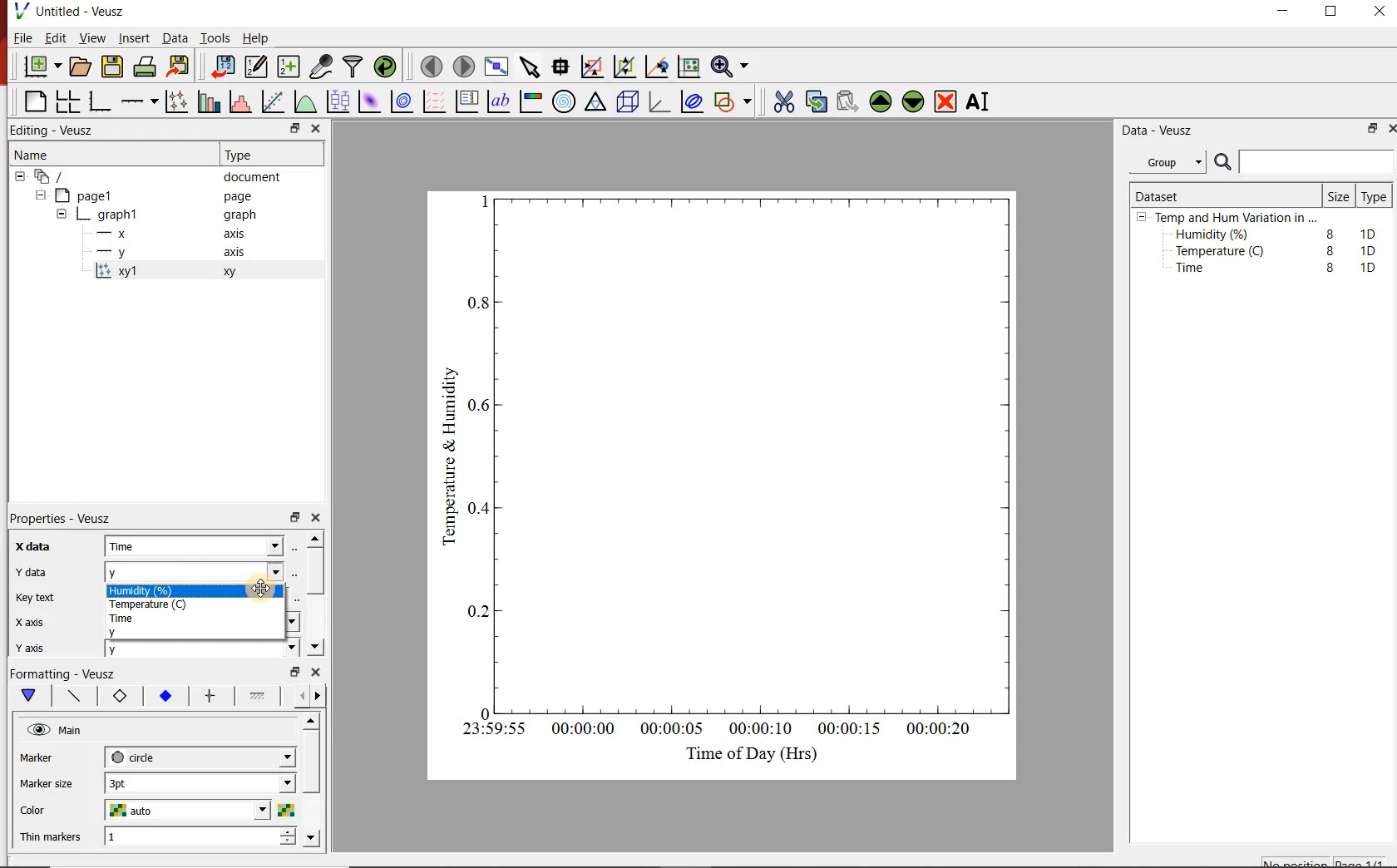 This screenshot has height=868, width=1397. I want to click on circle, so click(136, 757).